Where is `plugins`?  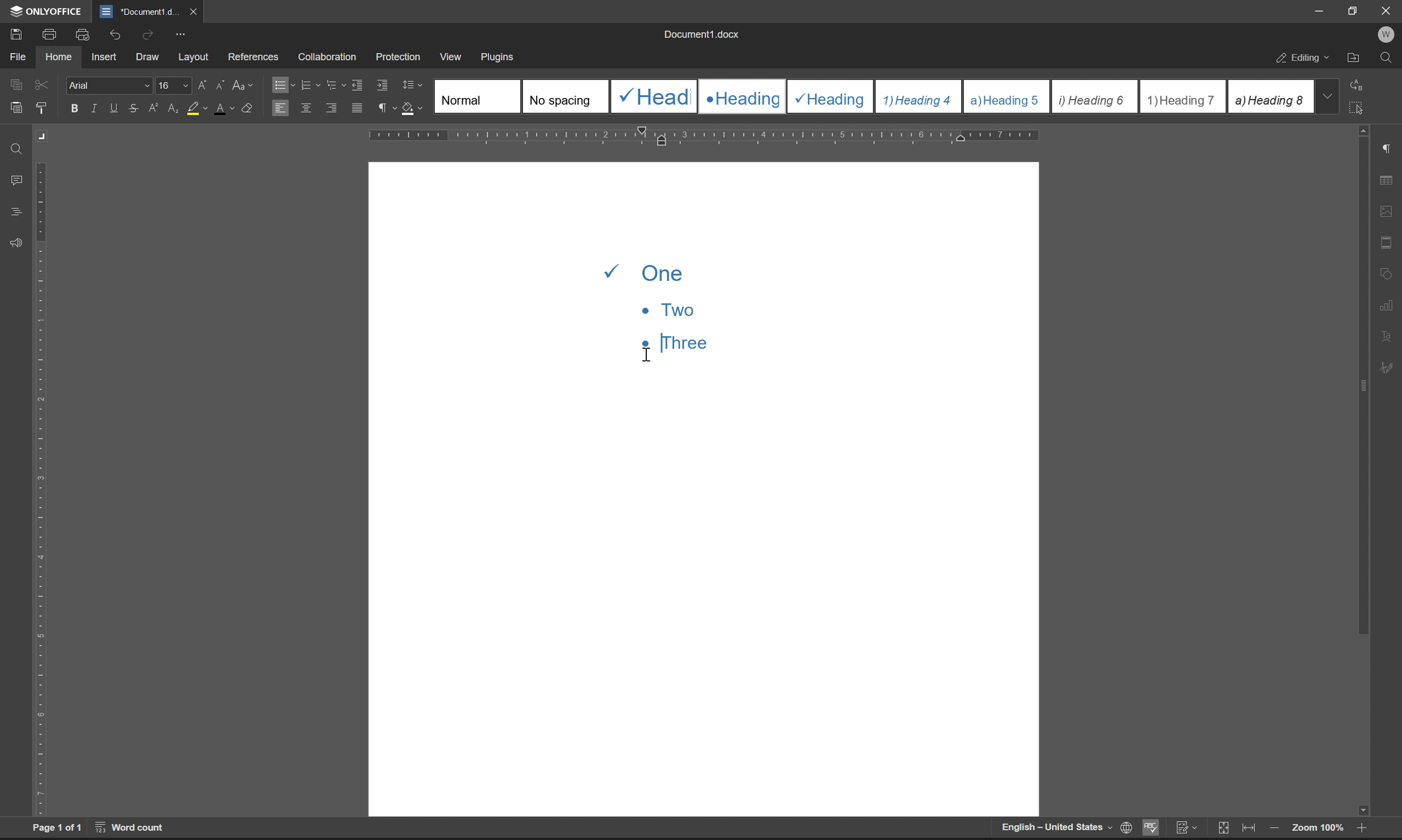 plugins is located at coordinates (499, 58).